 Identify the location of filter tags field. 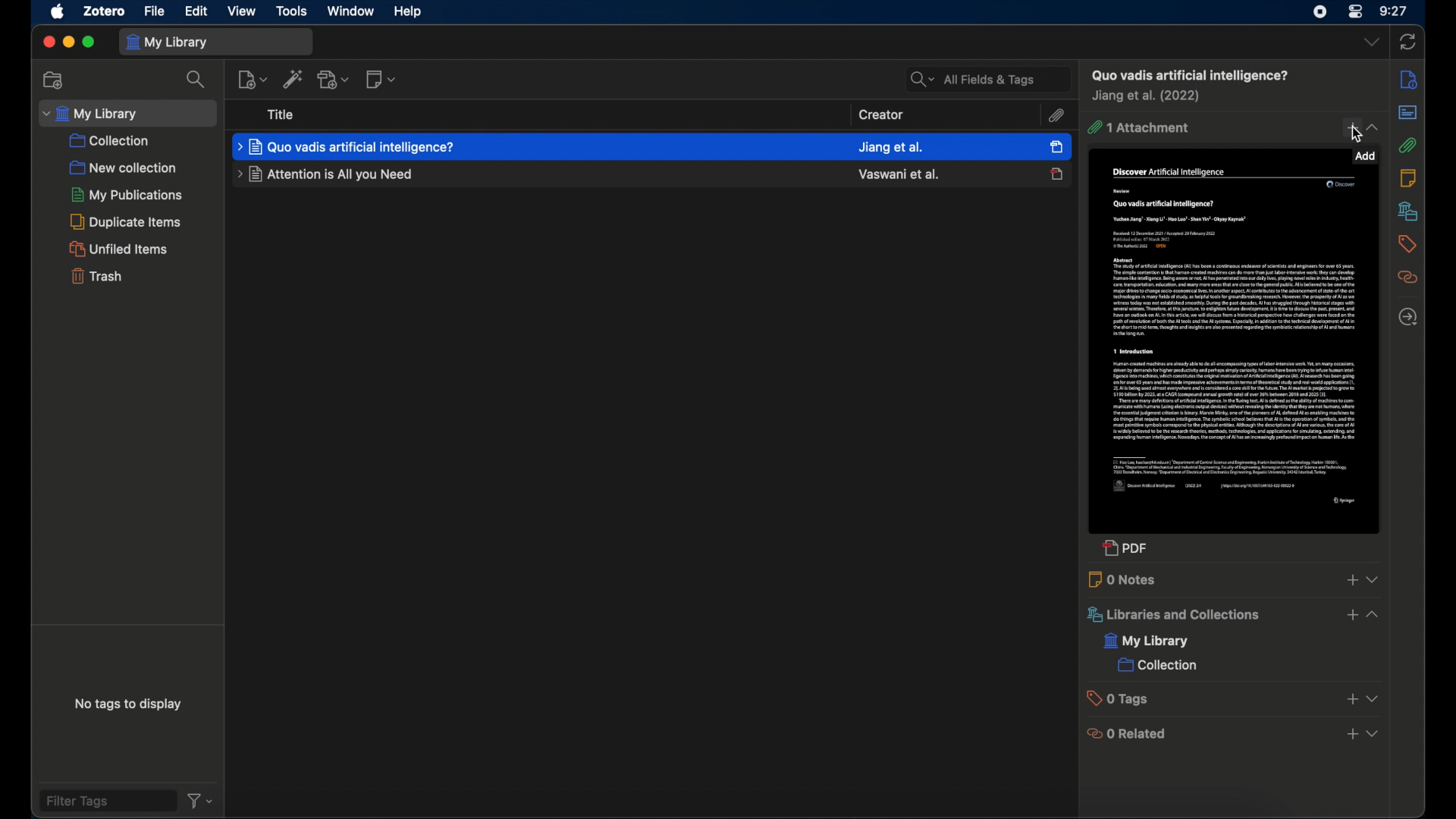
(106, 800).